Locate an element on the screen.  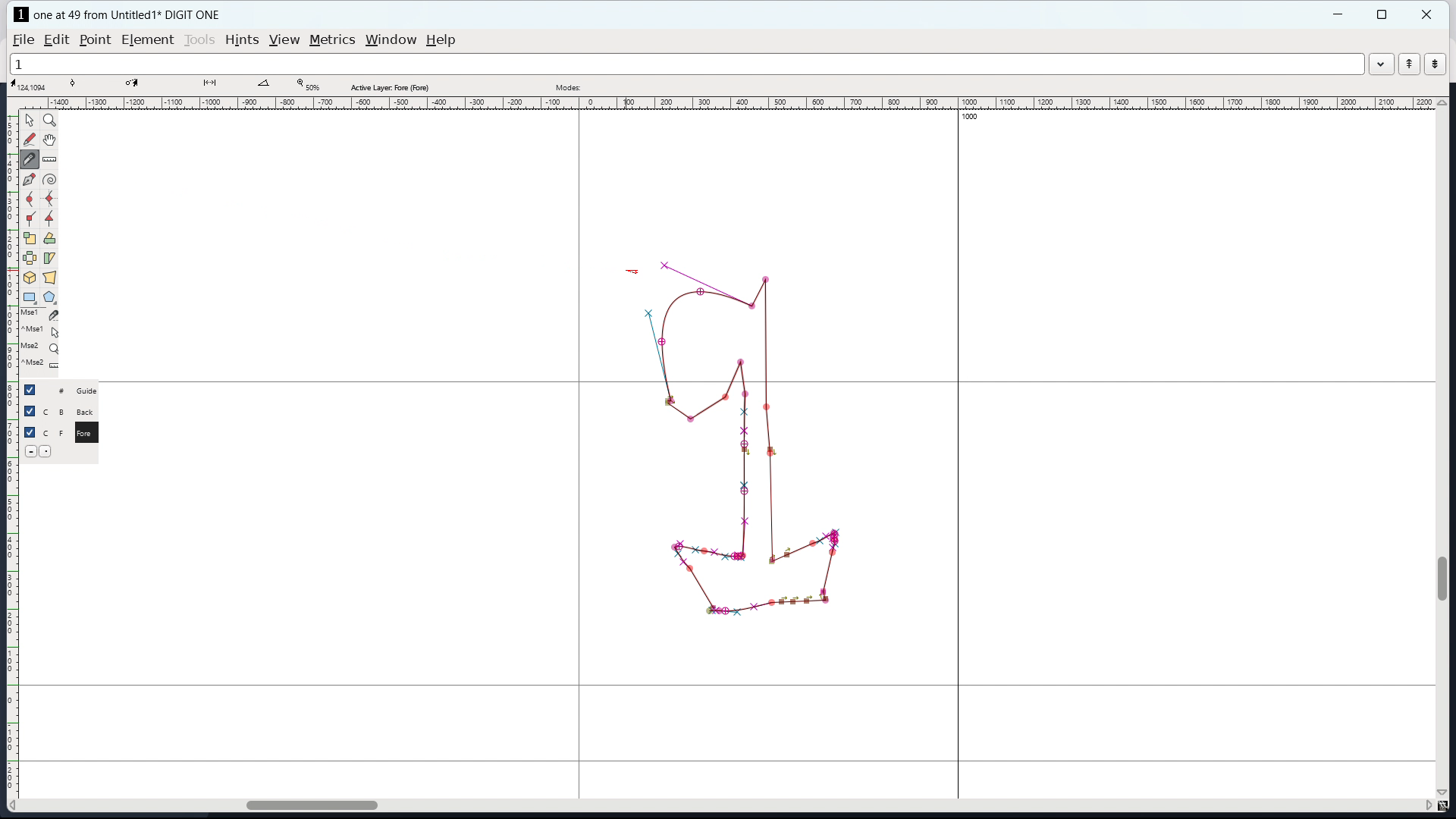
scroll up is located at coordinates (1442, 102).